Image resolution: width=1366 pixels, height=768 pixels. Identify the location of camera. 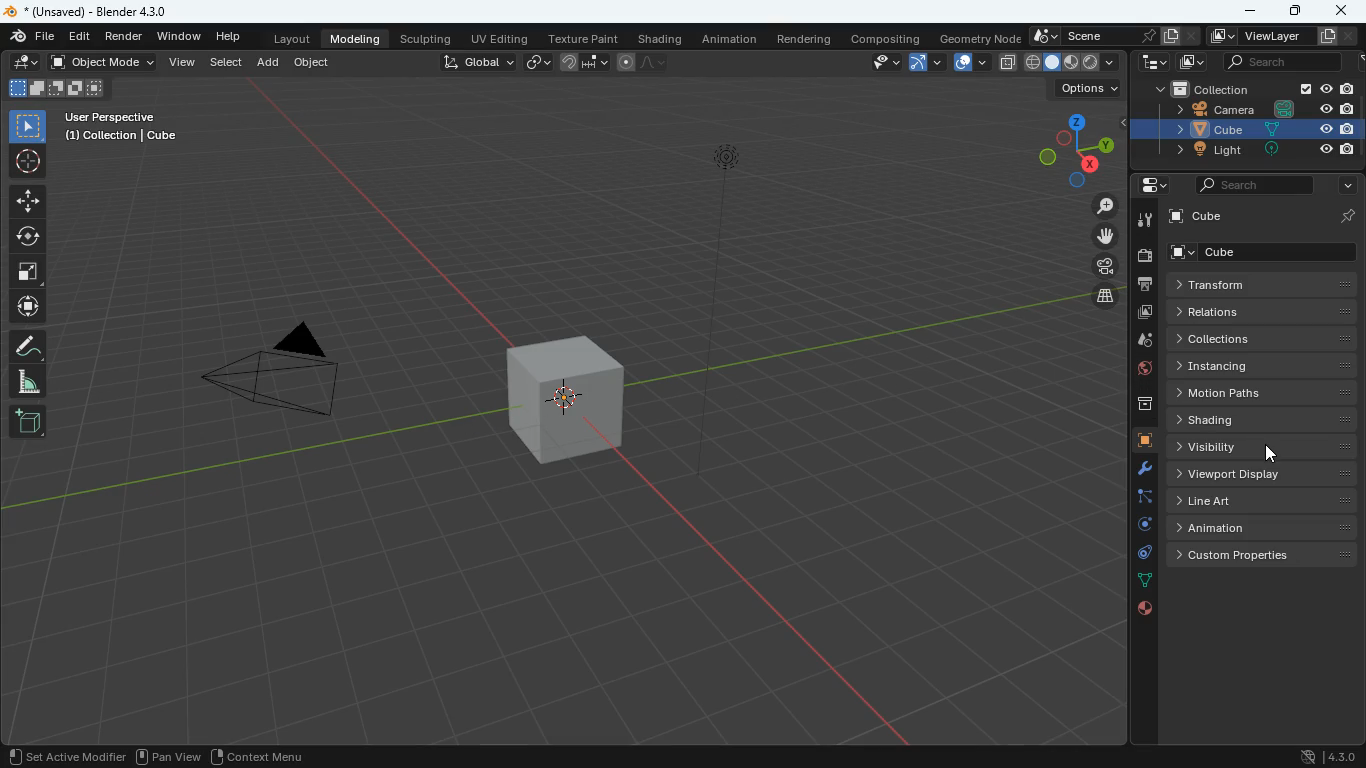
(1099, 267).